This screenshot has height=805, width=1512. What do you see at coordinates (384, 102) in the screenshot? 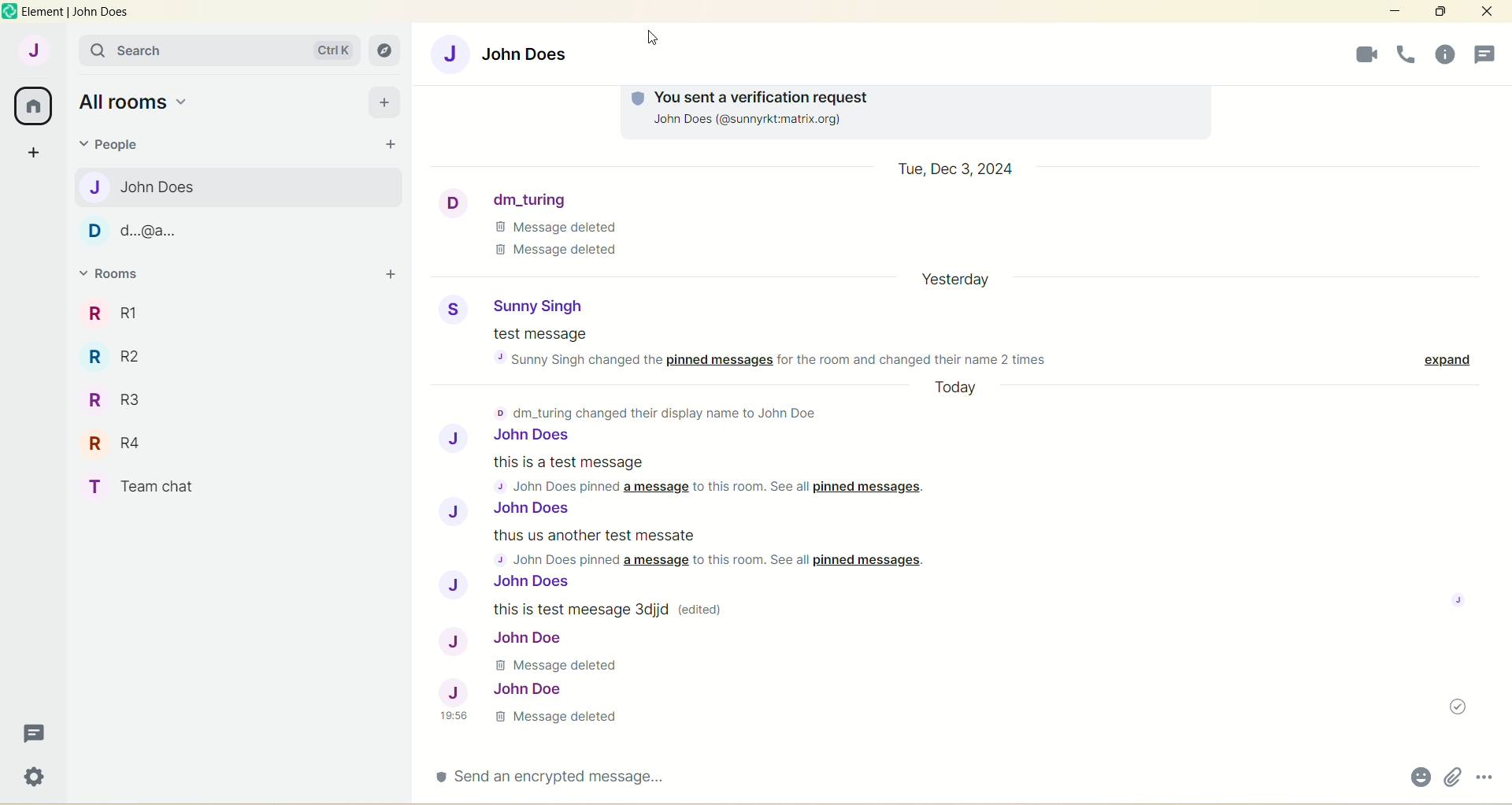
I see `add` at bounding box center [384, 102].